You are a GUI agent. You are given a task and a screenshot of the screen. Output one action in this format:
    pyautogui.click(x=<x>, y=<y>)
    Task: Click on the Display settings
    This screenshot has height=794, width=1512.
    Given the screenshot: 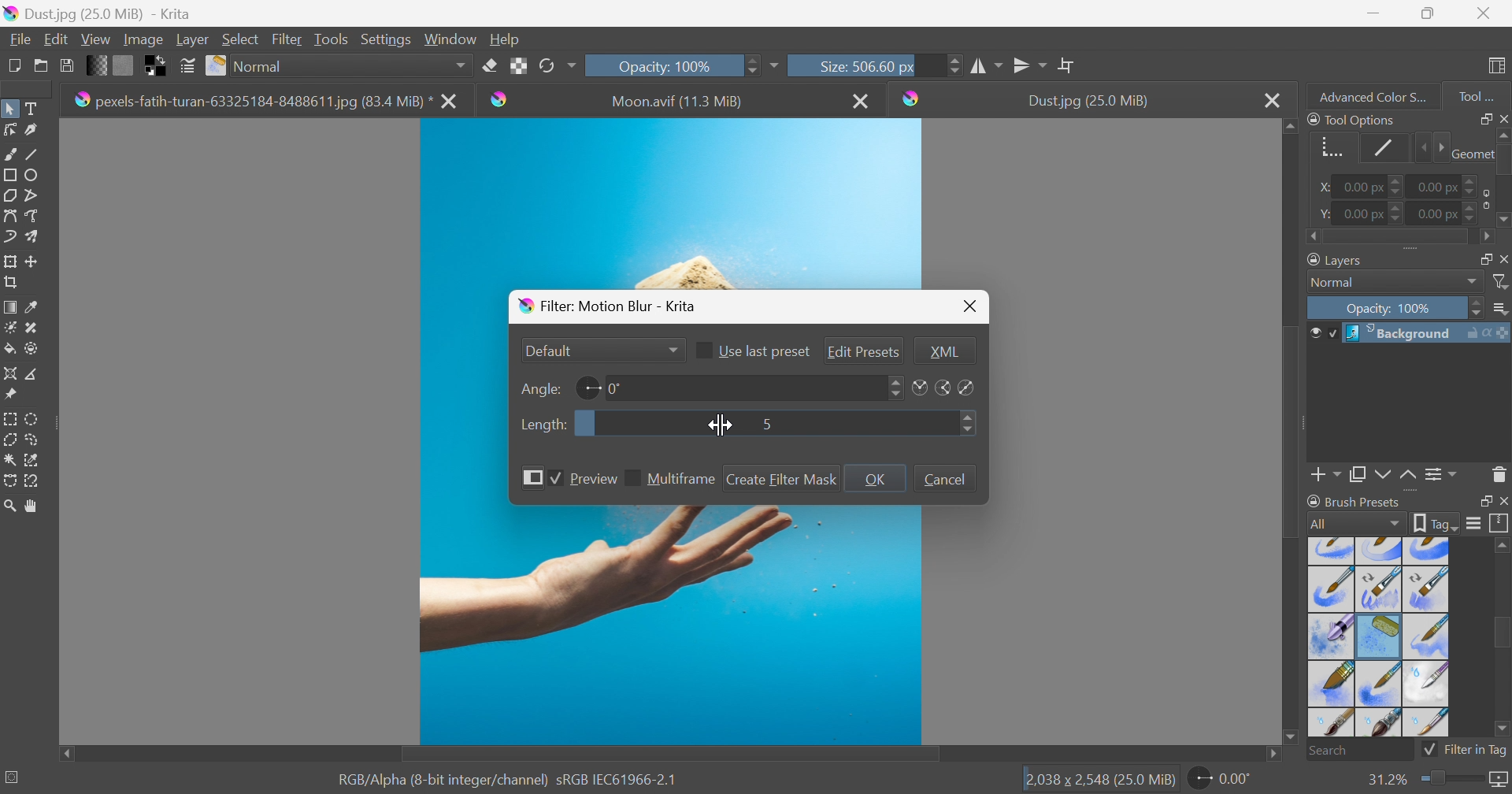 What is the action you would take?
    pyautogui.click(x=1473, y=523)
    